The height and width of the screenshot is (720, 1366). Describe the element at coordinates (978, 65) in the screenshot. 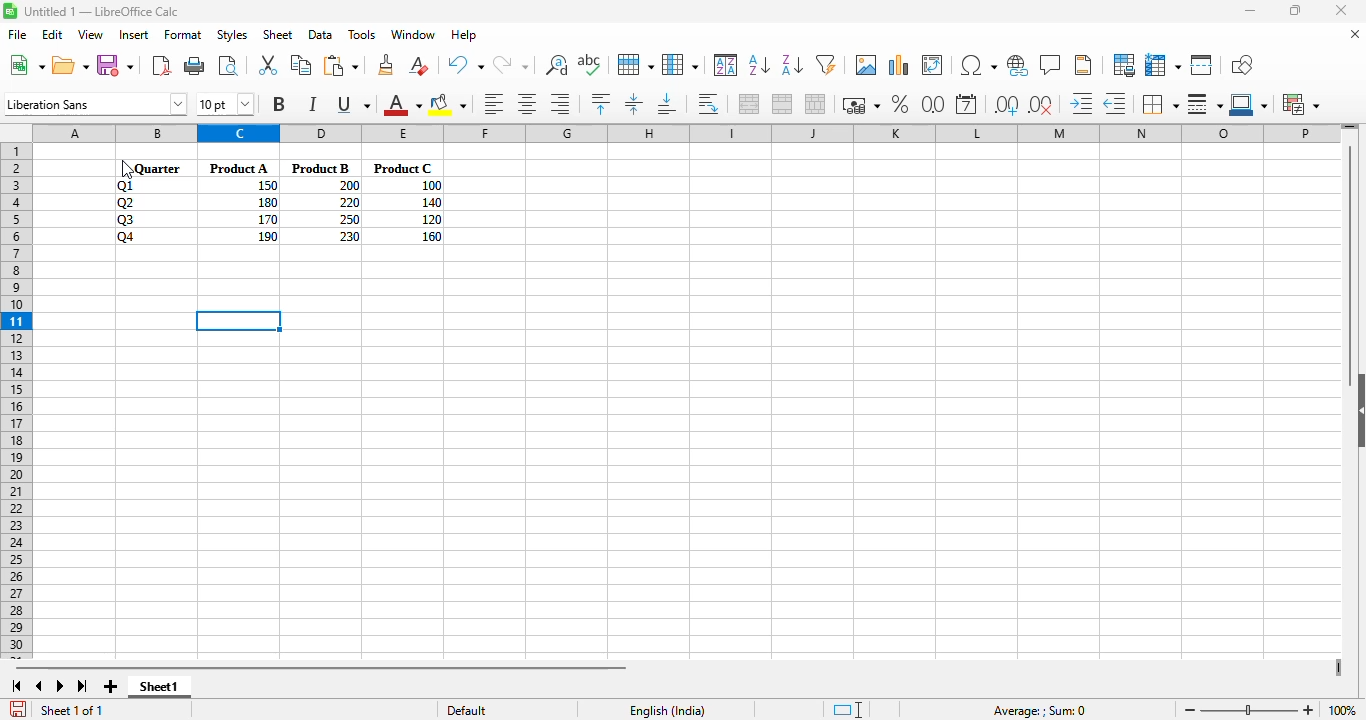

I see `insert special characters` at that location.